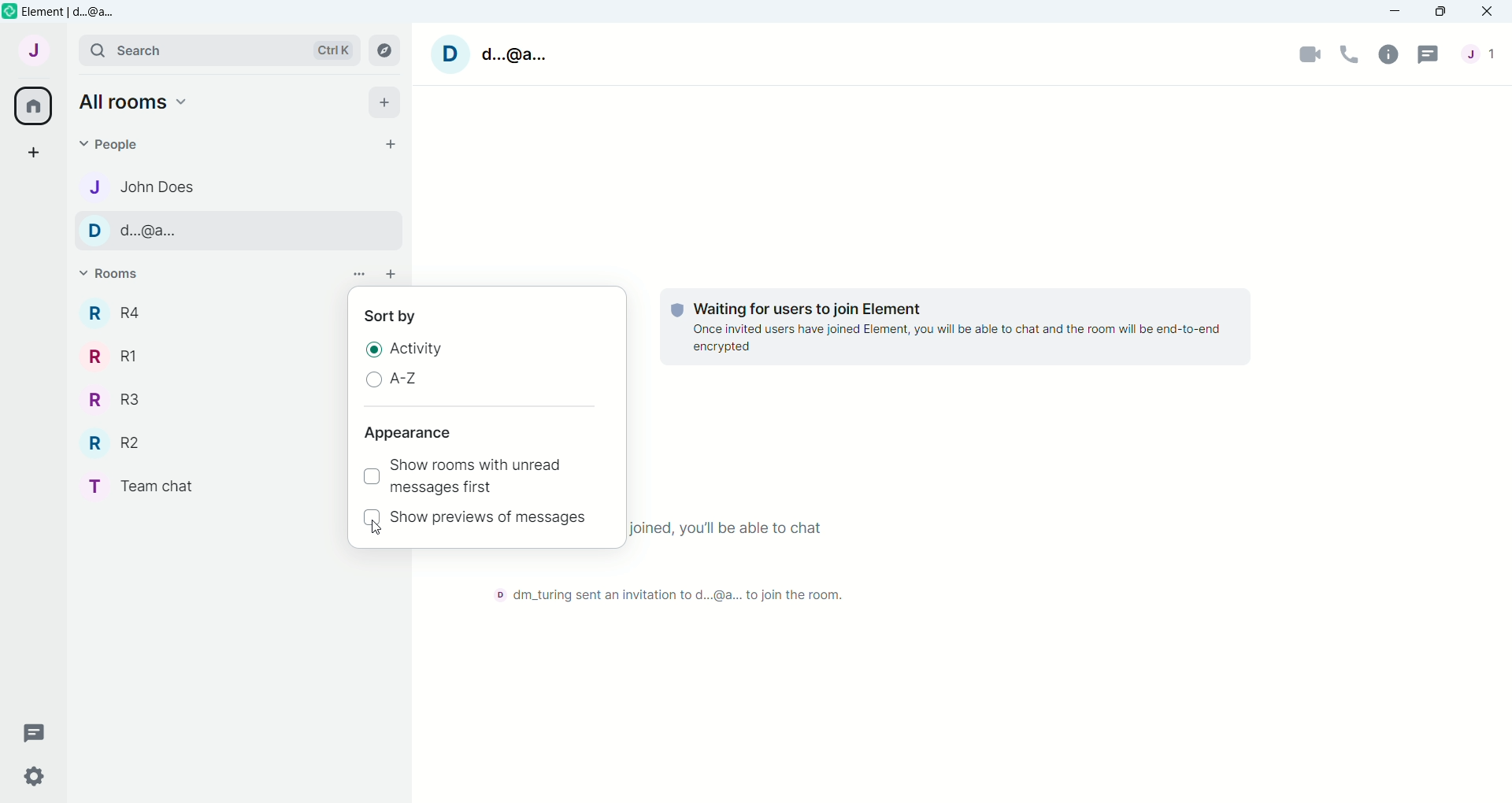 The height and width of the screenshot is (803, 1512). Describe the element at coordinates (676, 594) in the screenshot. I see `D dm_turing sent an invitation to d...@a... to join the room.` at that location.